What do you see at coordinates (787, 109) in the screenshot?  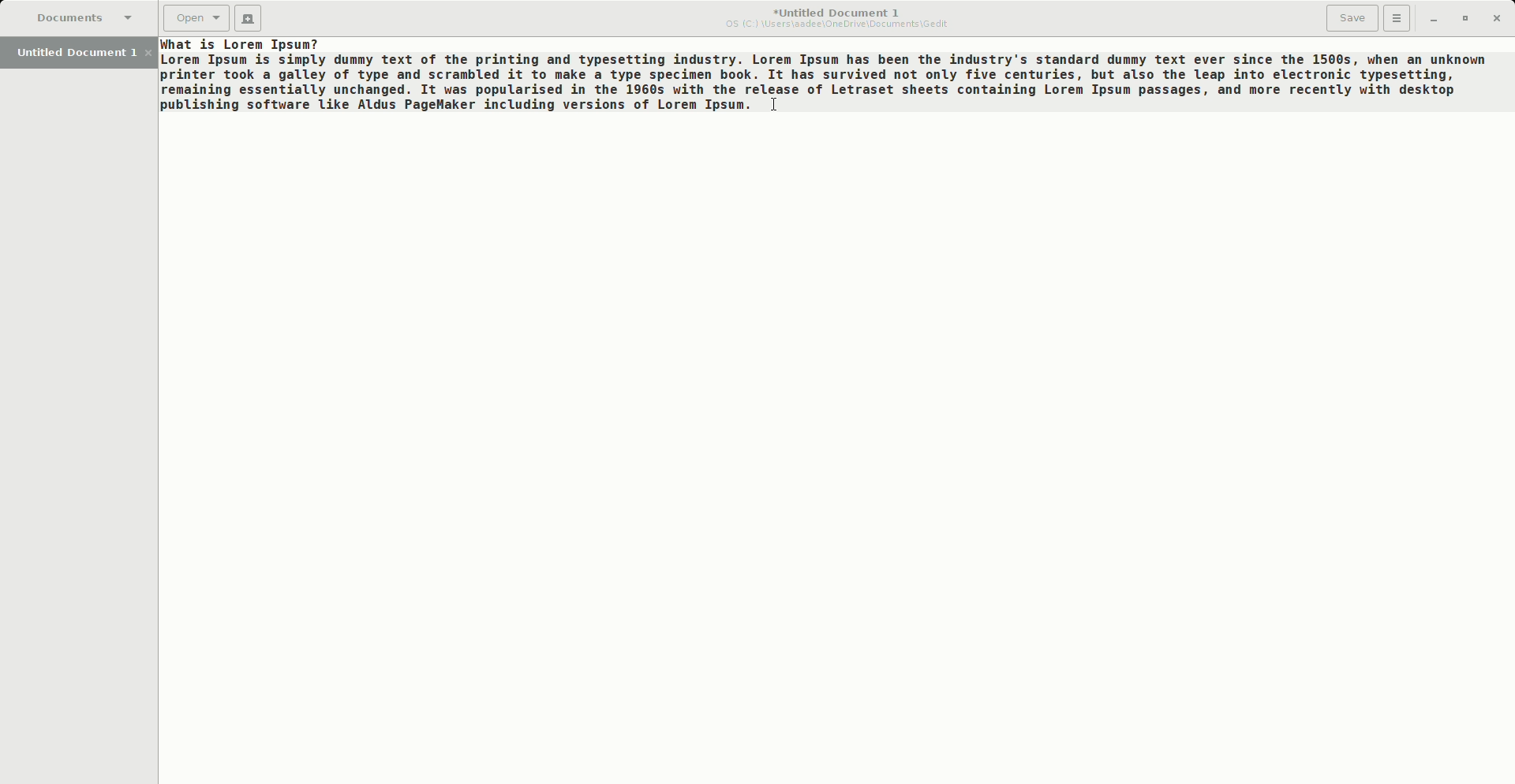 I see `cursor` at bounding box center [787, 109].